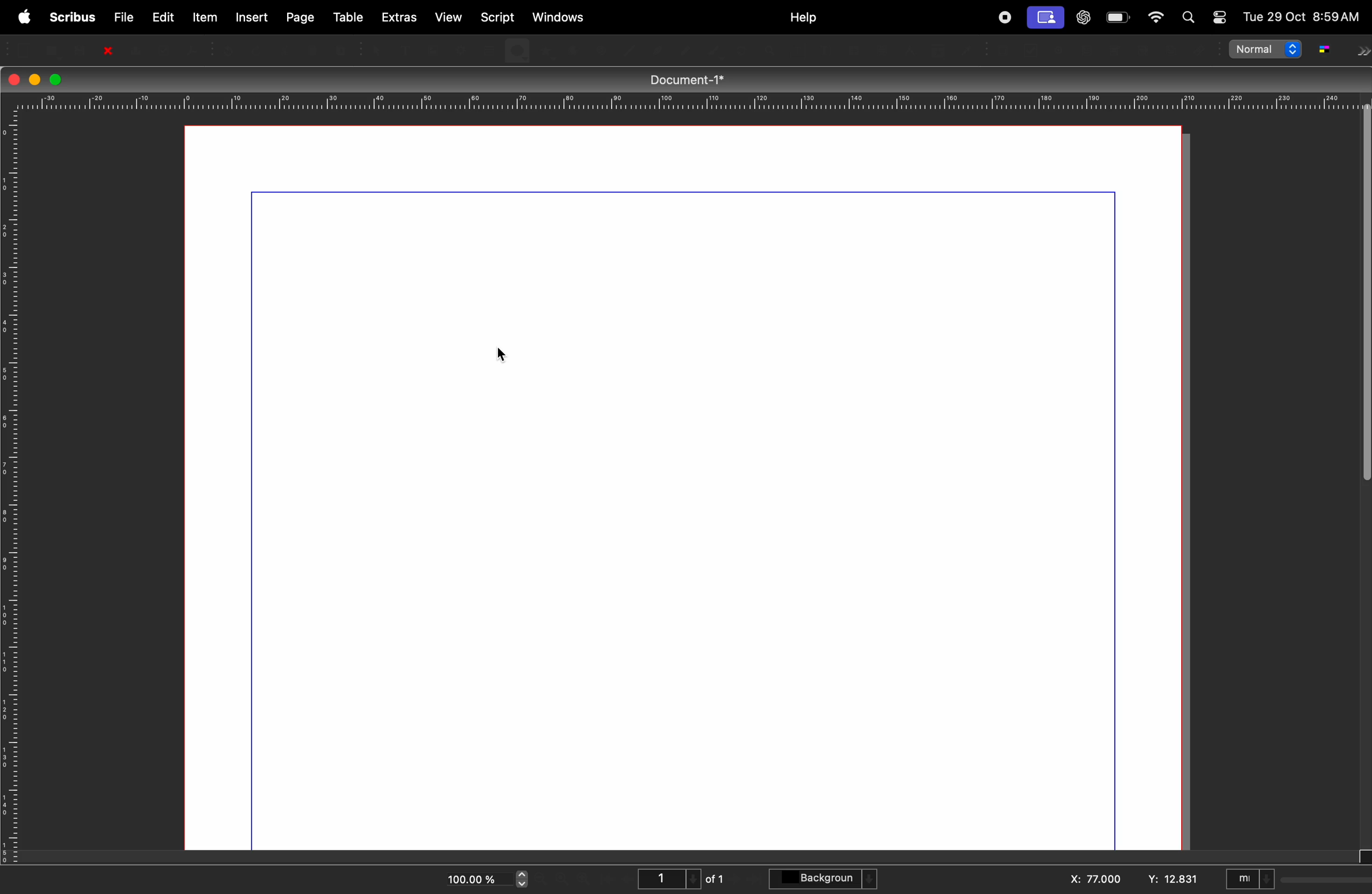 The image size is (1372, 894). I want to click on record, so click(1004, 17).